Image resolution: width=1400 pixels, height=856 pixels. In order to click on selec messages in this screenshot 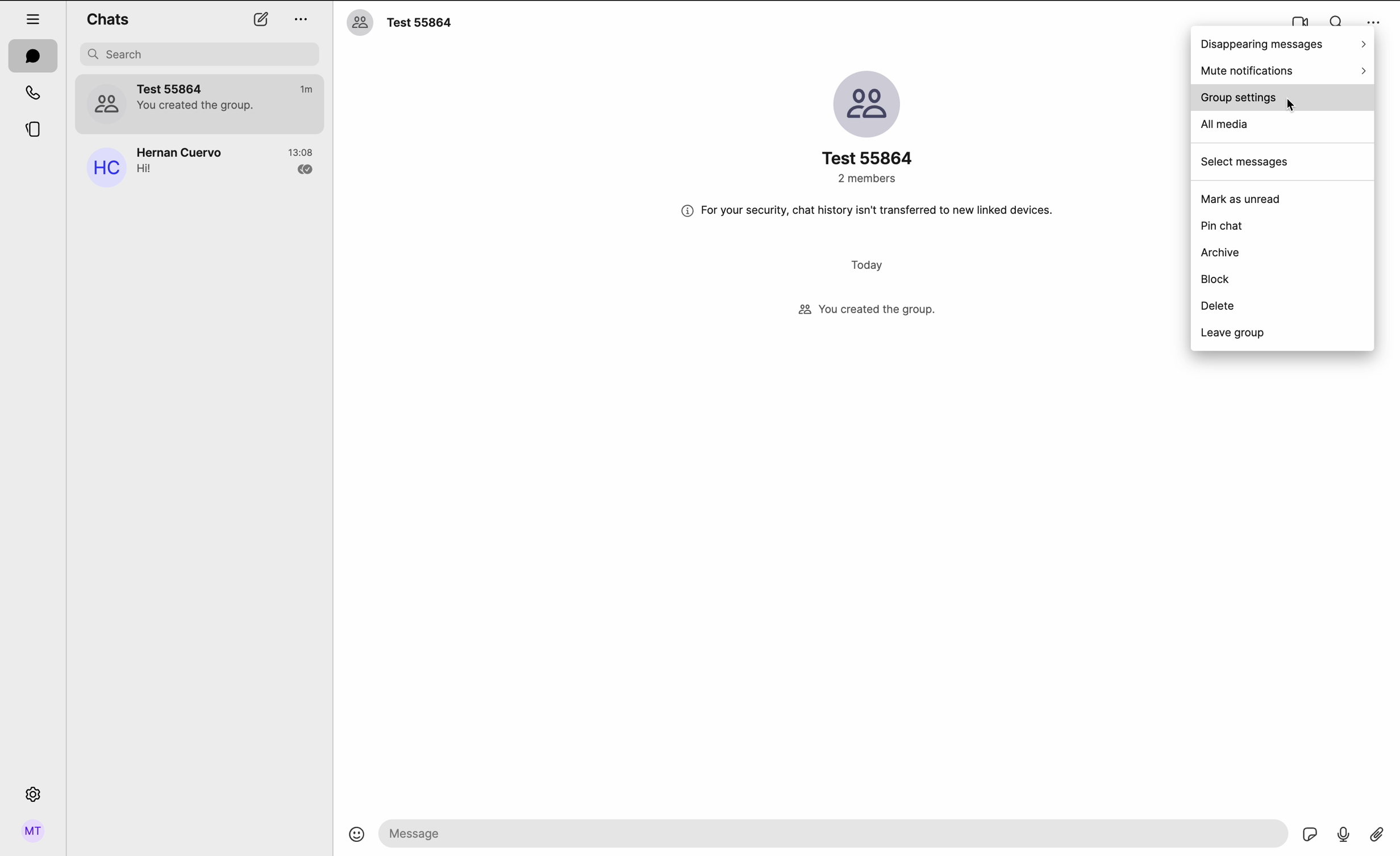, I will do `click(1244, 164)`.